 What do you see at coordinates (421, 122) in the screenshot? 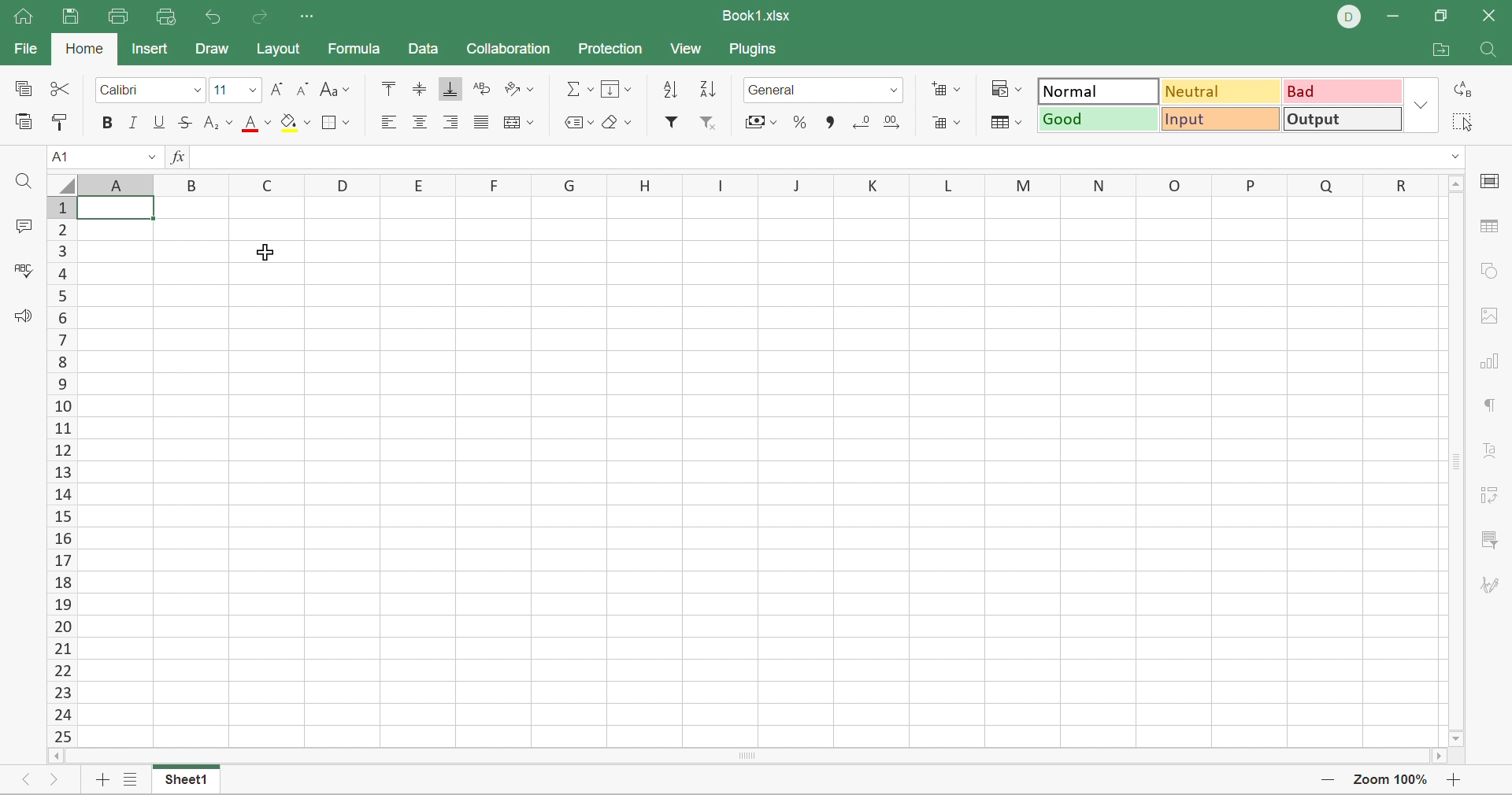
I see `Align center` at bounding box center [421, 122].